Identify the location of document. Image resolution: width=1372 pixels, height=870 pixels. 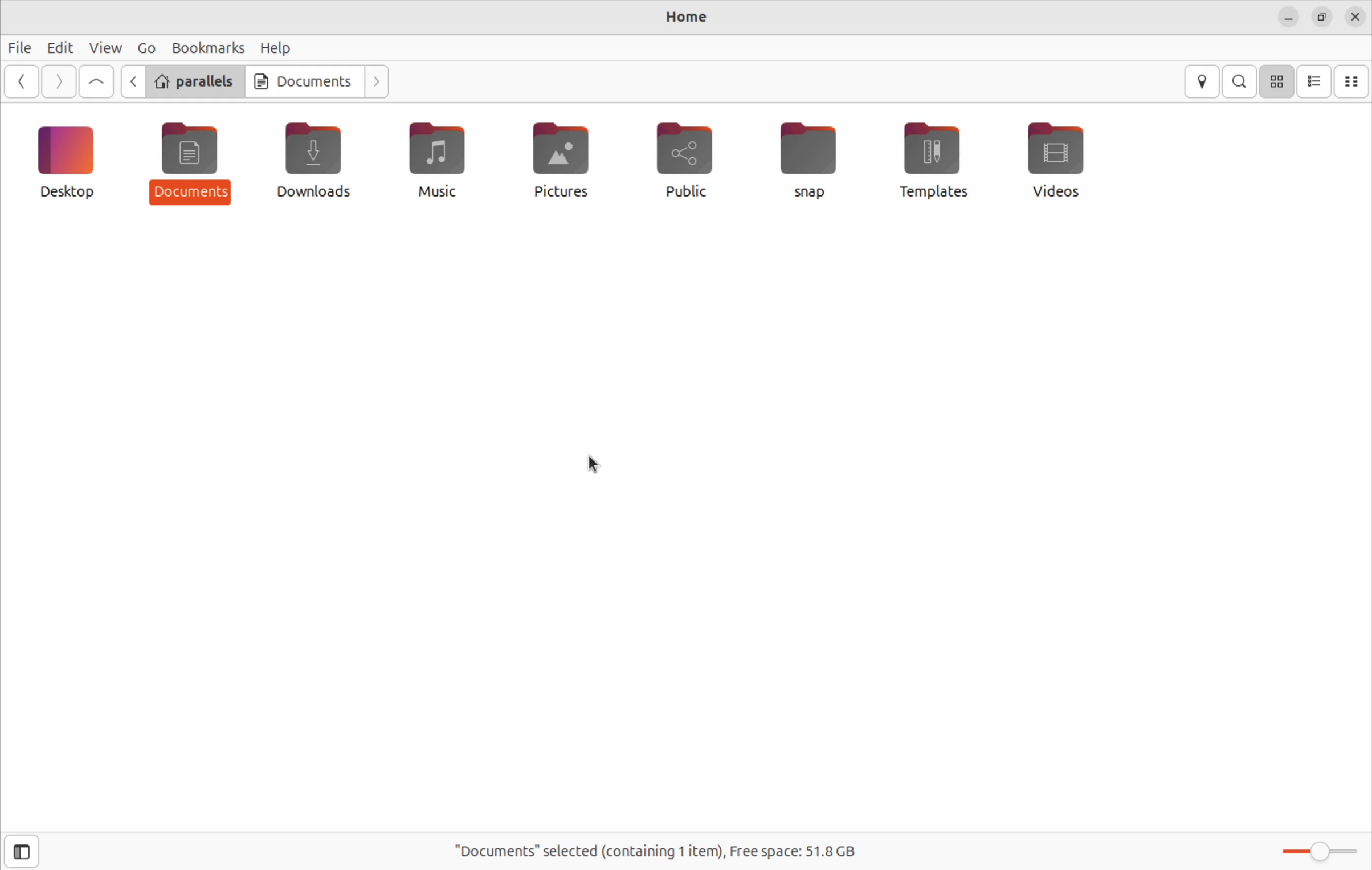
(195, 166).